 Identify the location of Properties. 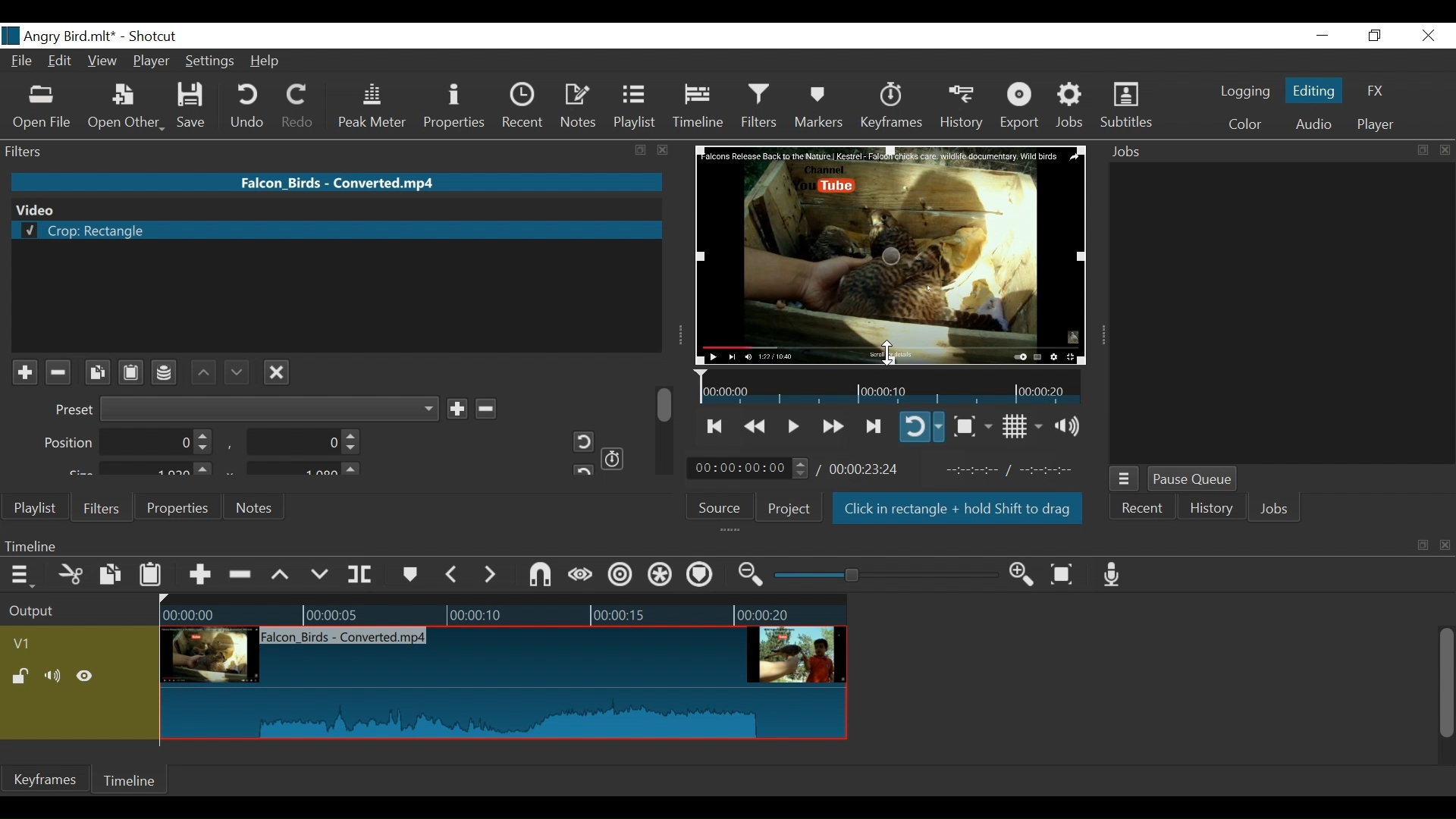
(175, 507).